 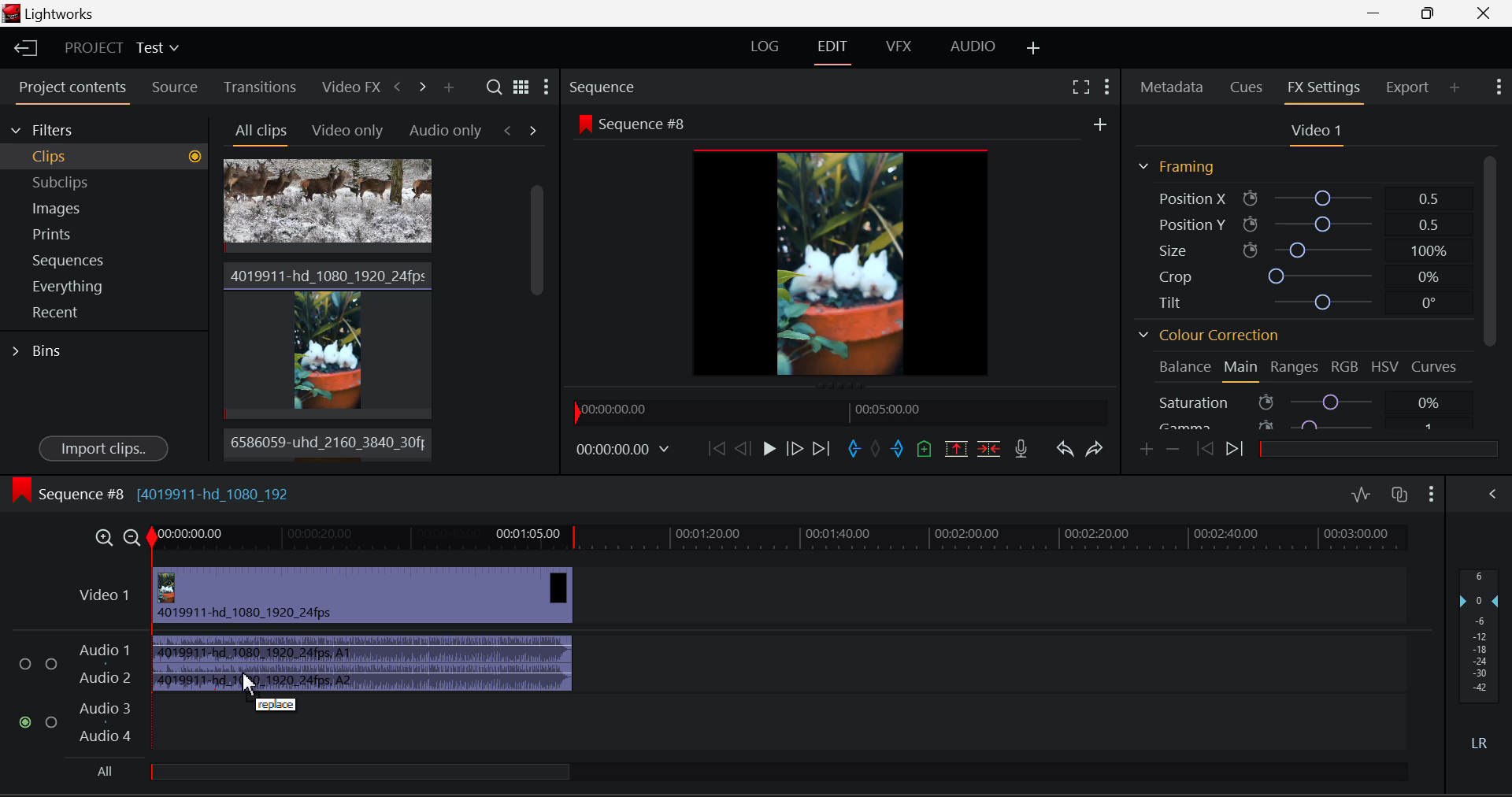 I want to click on Images, so click(x=104, y=206).